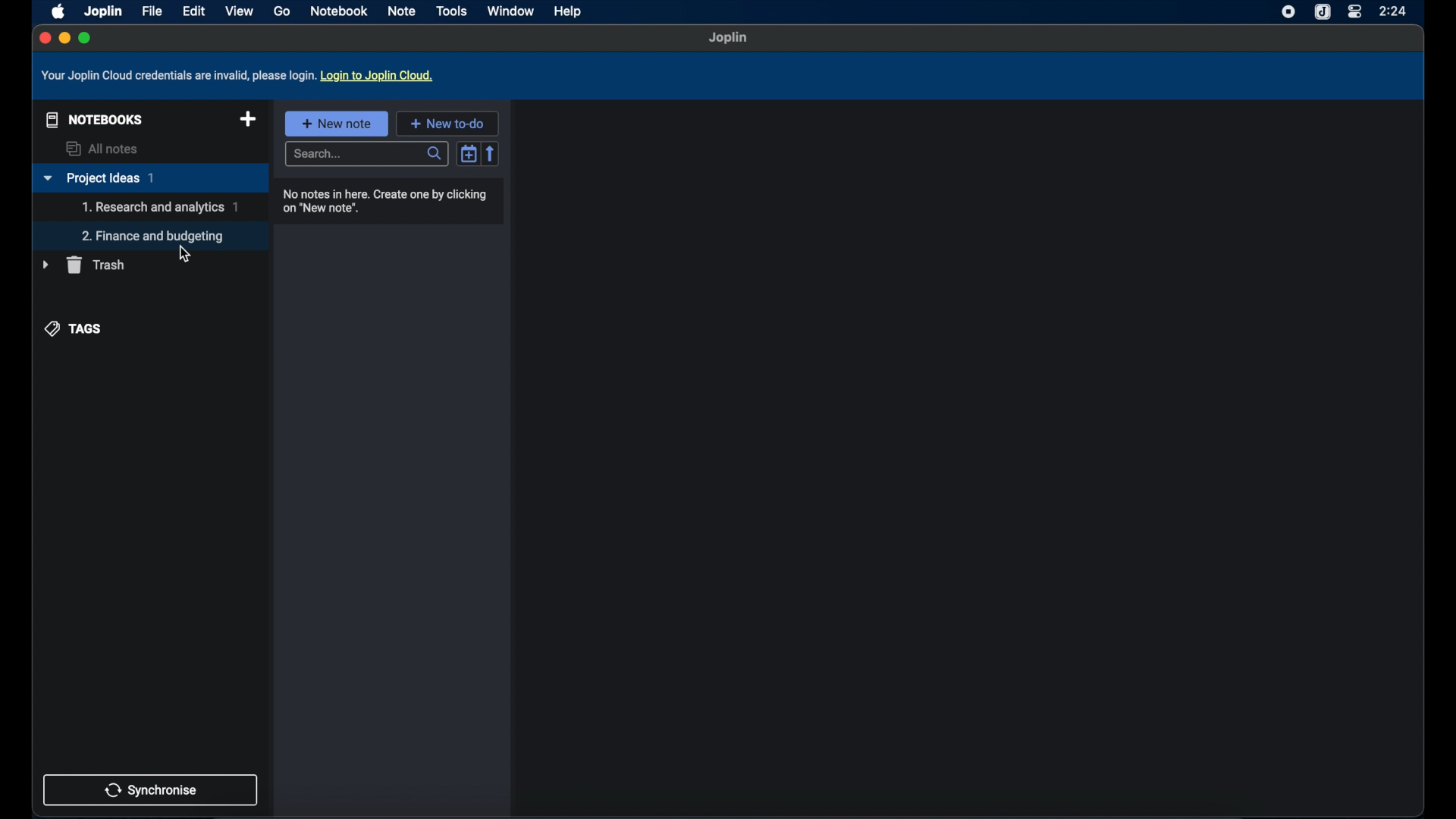 The height and width of the screenshot is (819, 1456). Describe the element at coordinates (248, 120) in the screenshot. I see `new notebook` at that location.